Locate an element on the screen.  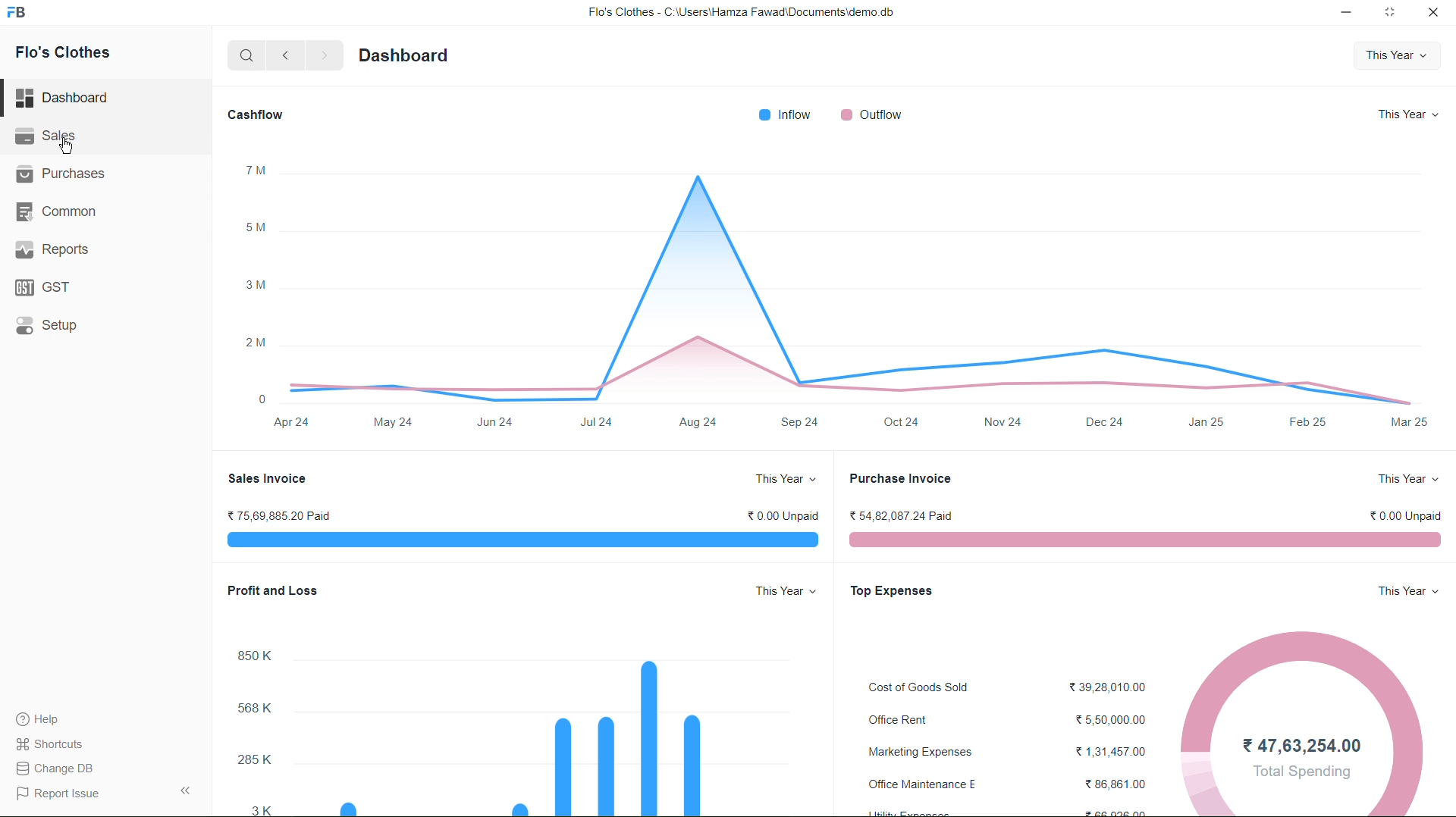
2M is located at coordinates (255, 343).